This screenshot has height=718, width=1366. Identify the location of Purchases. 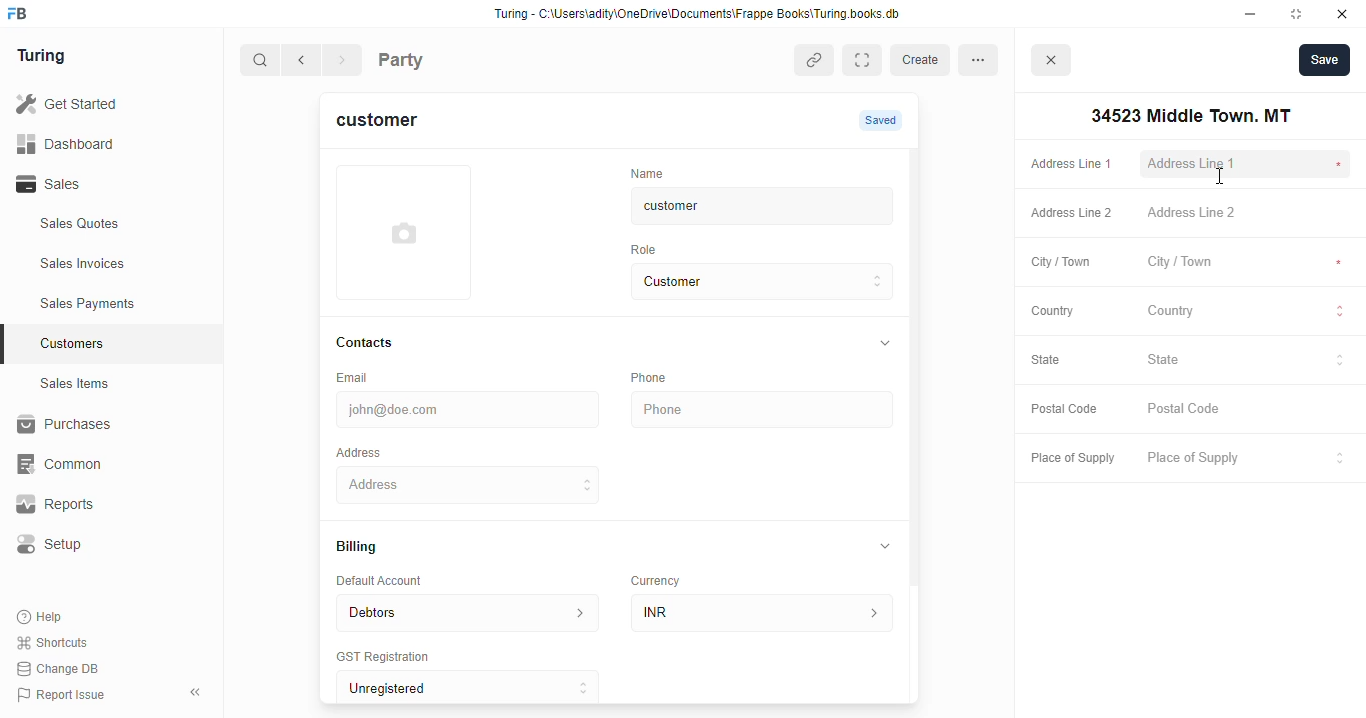
(100, 427).